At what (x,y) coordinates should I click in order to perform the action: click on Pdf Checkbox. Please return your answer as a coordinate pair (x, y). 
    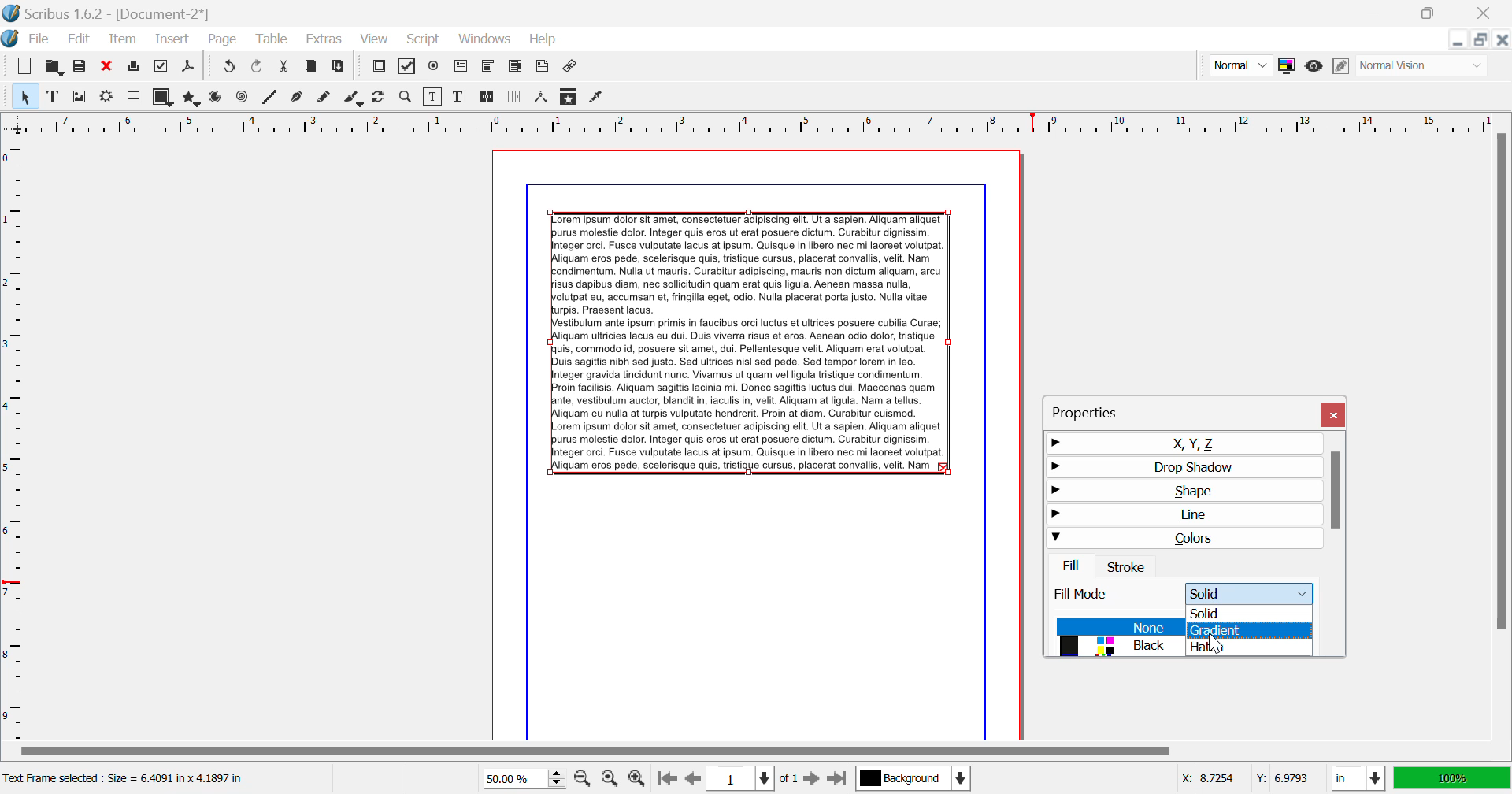
    Looking at the image, I should click on (408, 69).